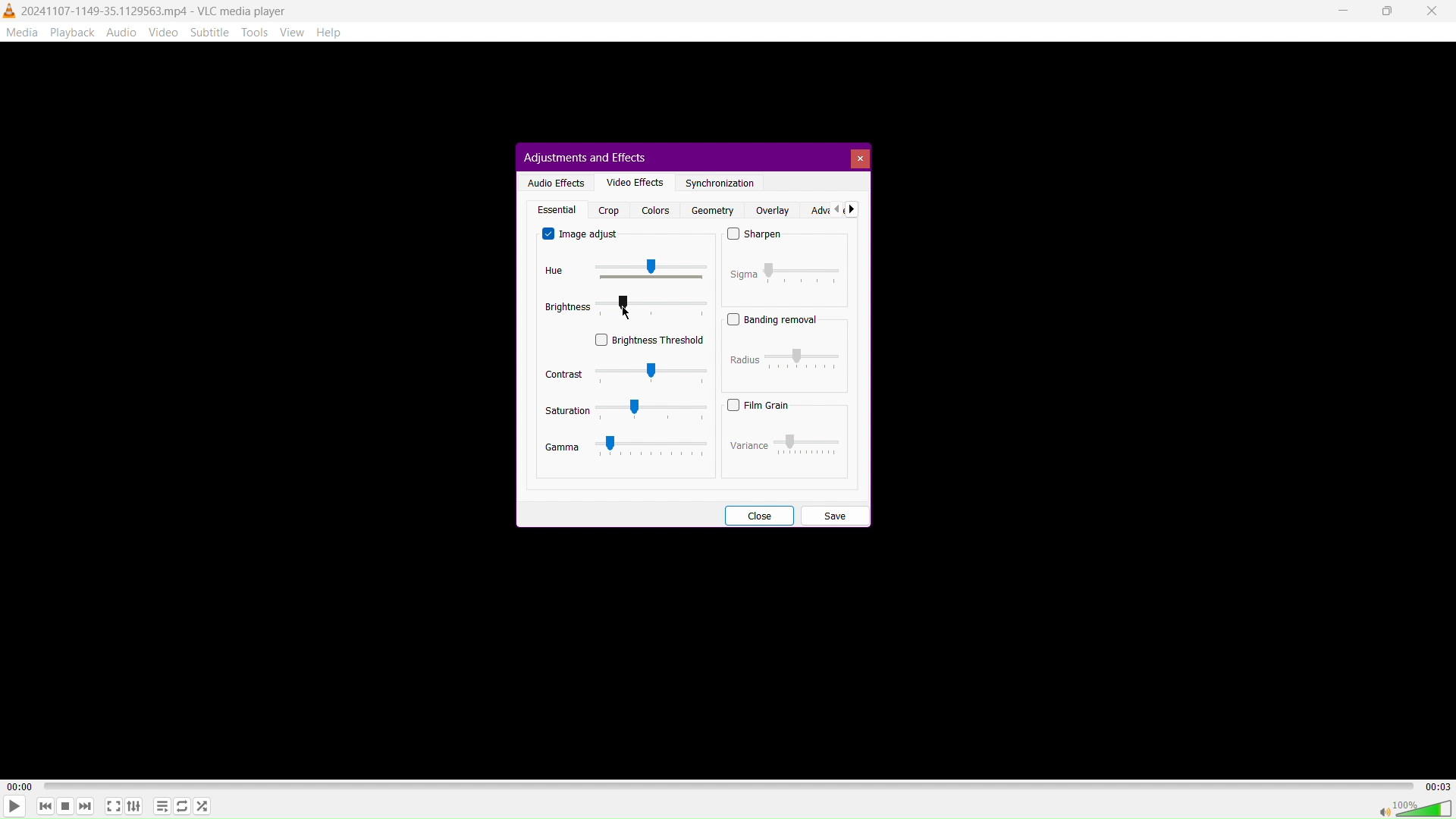 Image resolution: width=1456 pixels, height=819 pixels. Describe the element at coordinates (1434, 11) in the screenshot. I see `Close` at that location.